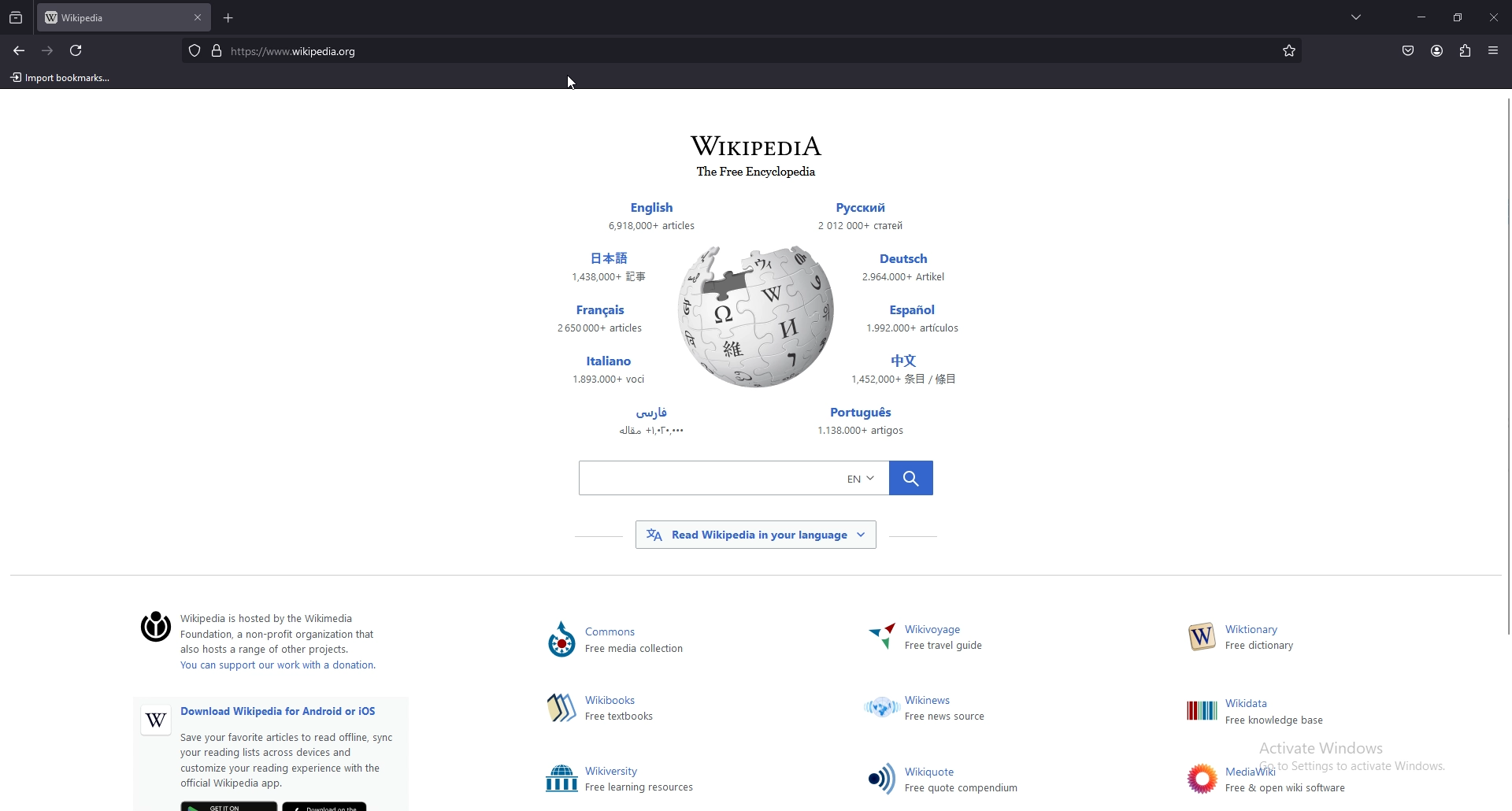 The width and height of the screenshot is (1512, 811). What do you see at coordinates (1200, 711) in the screenshot?
I see `` at bounding box center [1200, 711].